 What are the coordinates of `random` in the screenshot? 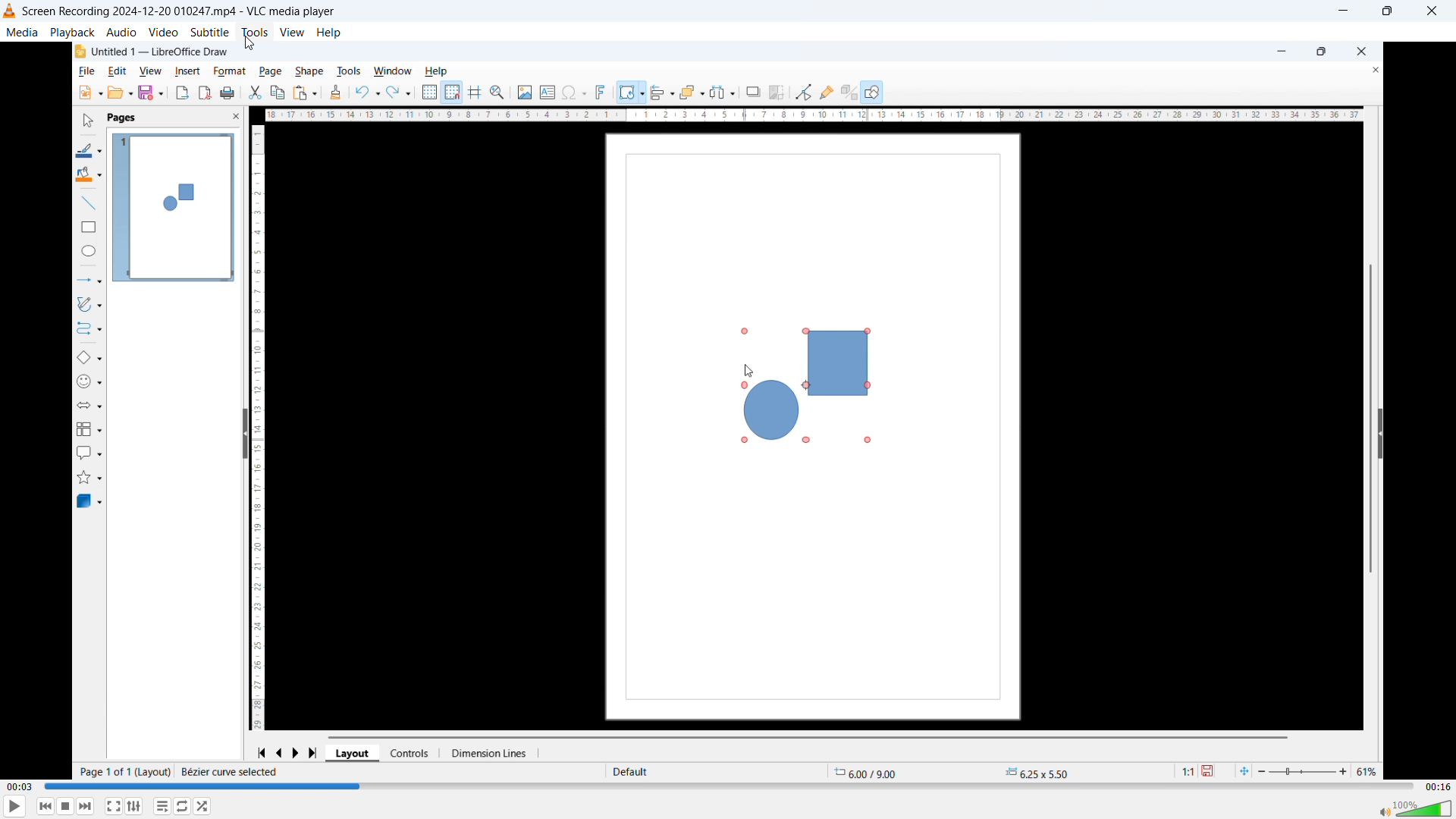 It's located at (204, 806).